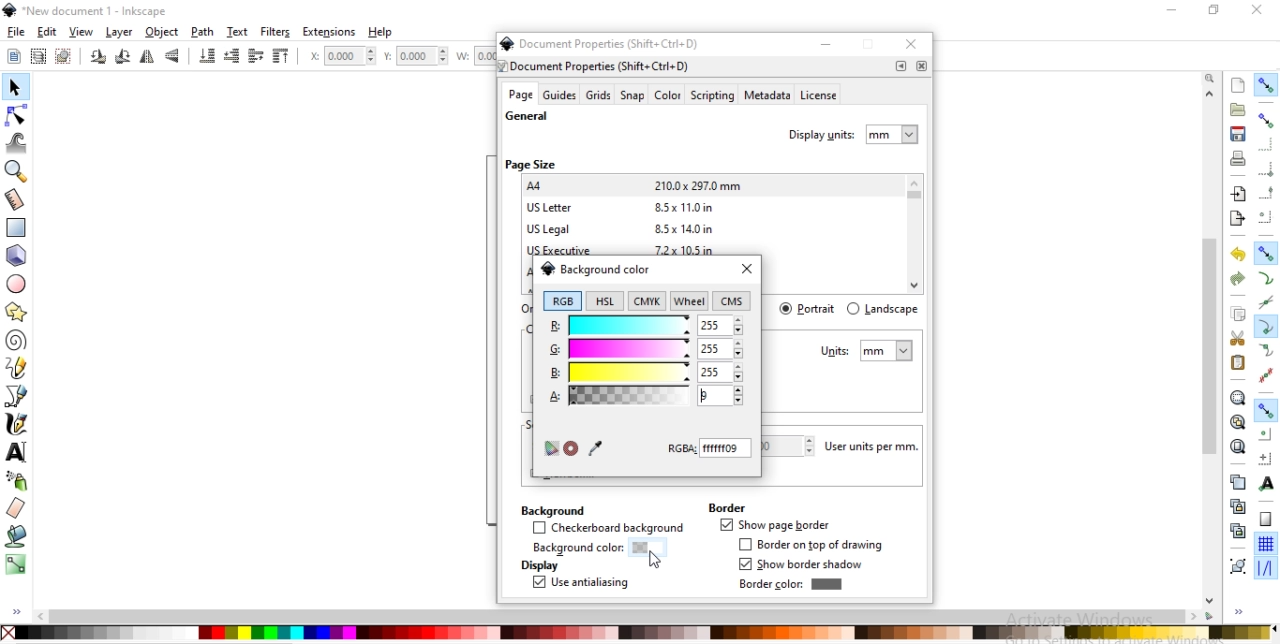  What do you see at coordinates (254, 57) in the screenshot?
I see `raise selection one step` at bounding box center [254, 57].